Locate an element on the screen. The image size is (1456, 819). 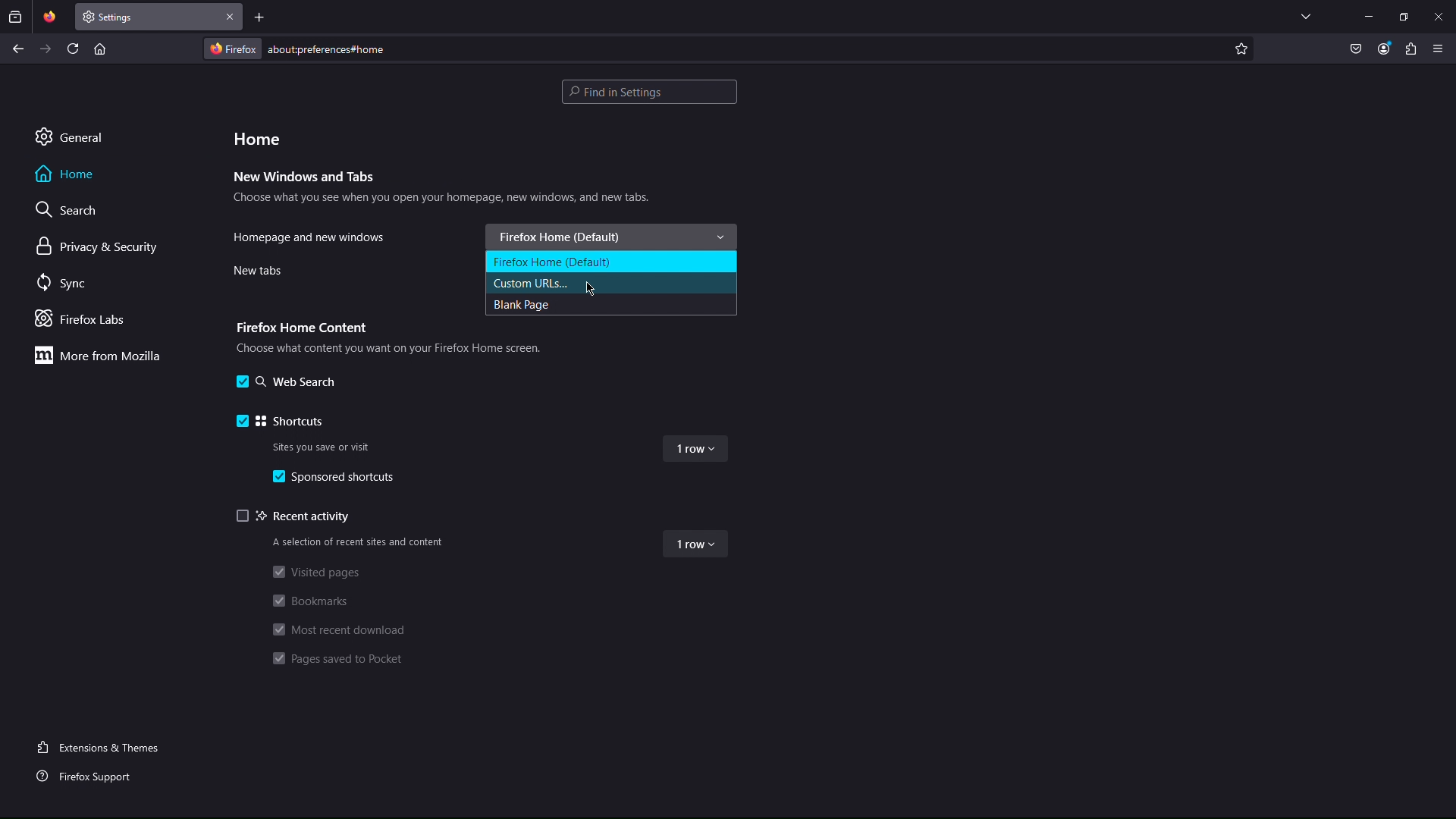
Visited pages is located at coordinates (315, 575).